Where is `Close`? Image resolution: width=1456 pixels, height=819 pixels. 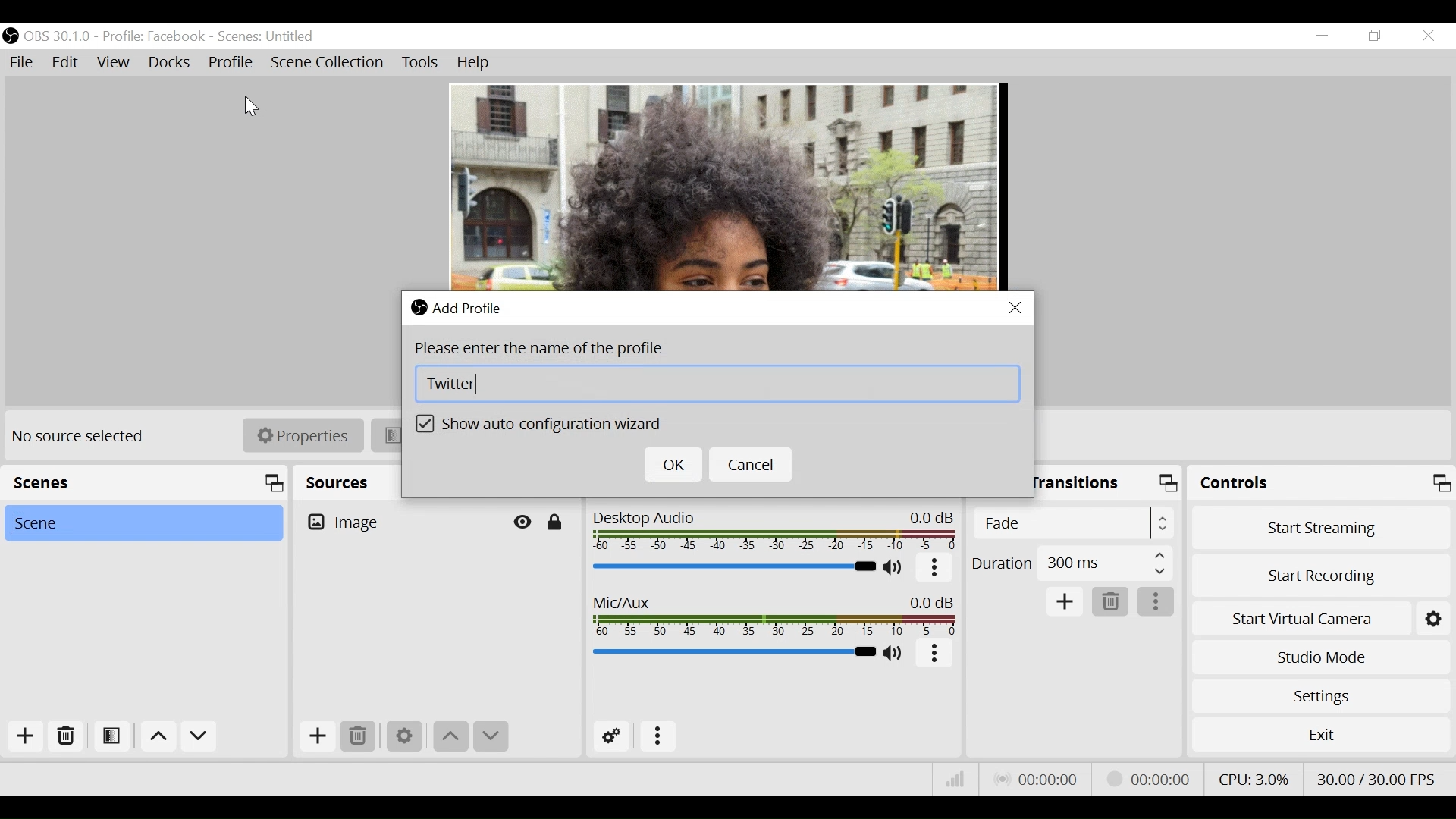 Close is located at coordinates (1015, 308).